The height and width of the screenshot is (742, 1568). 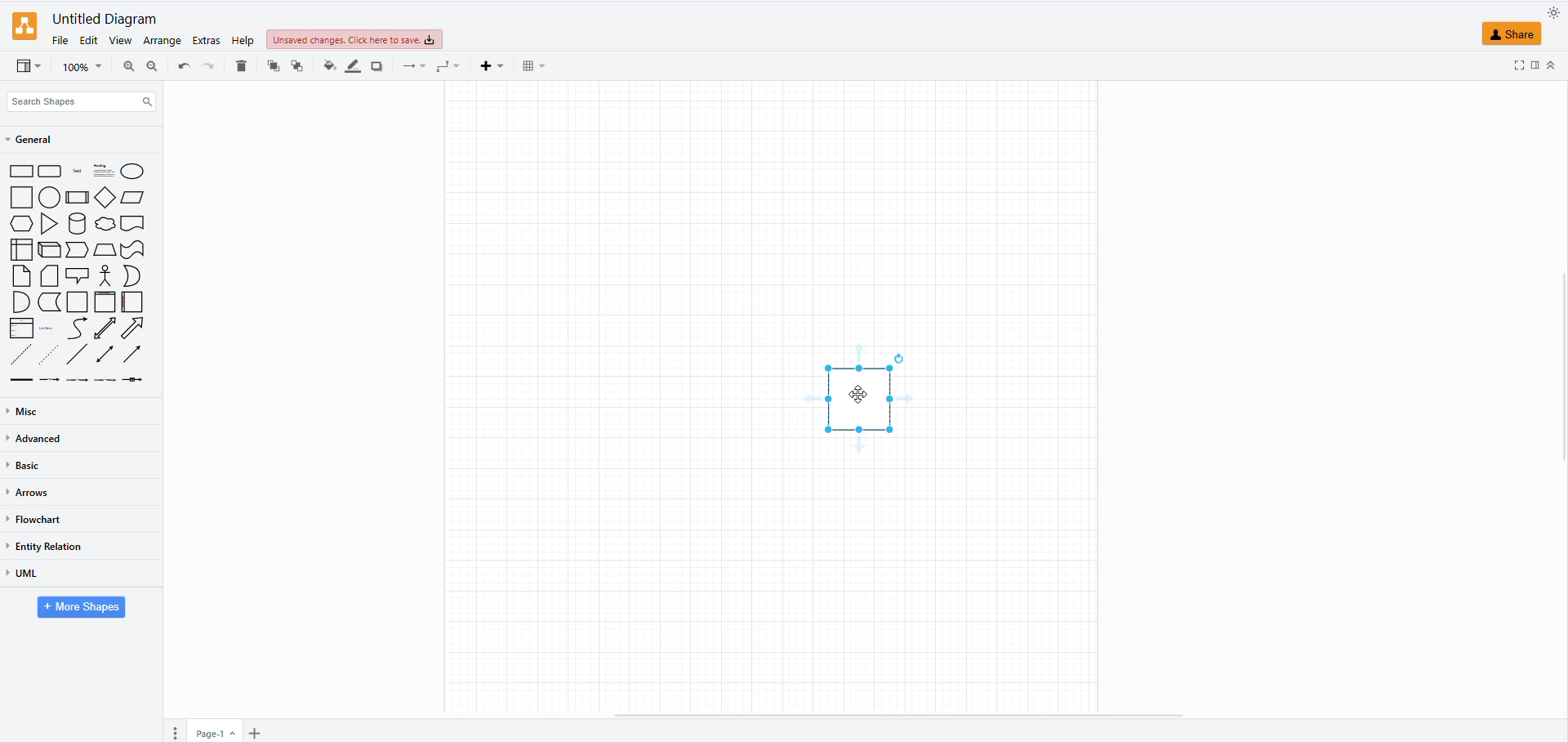 I want to click on container, so click(x=78, y=302).